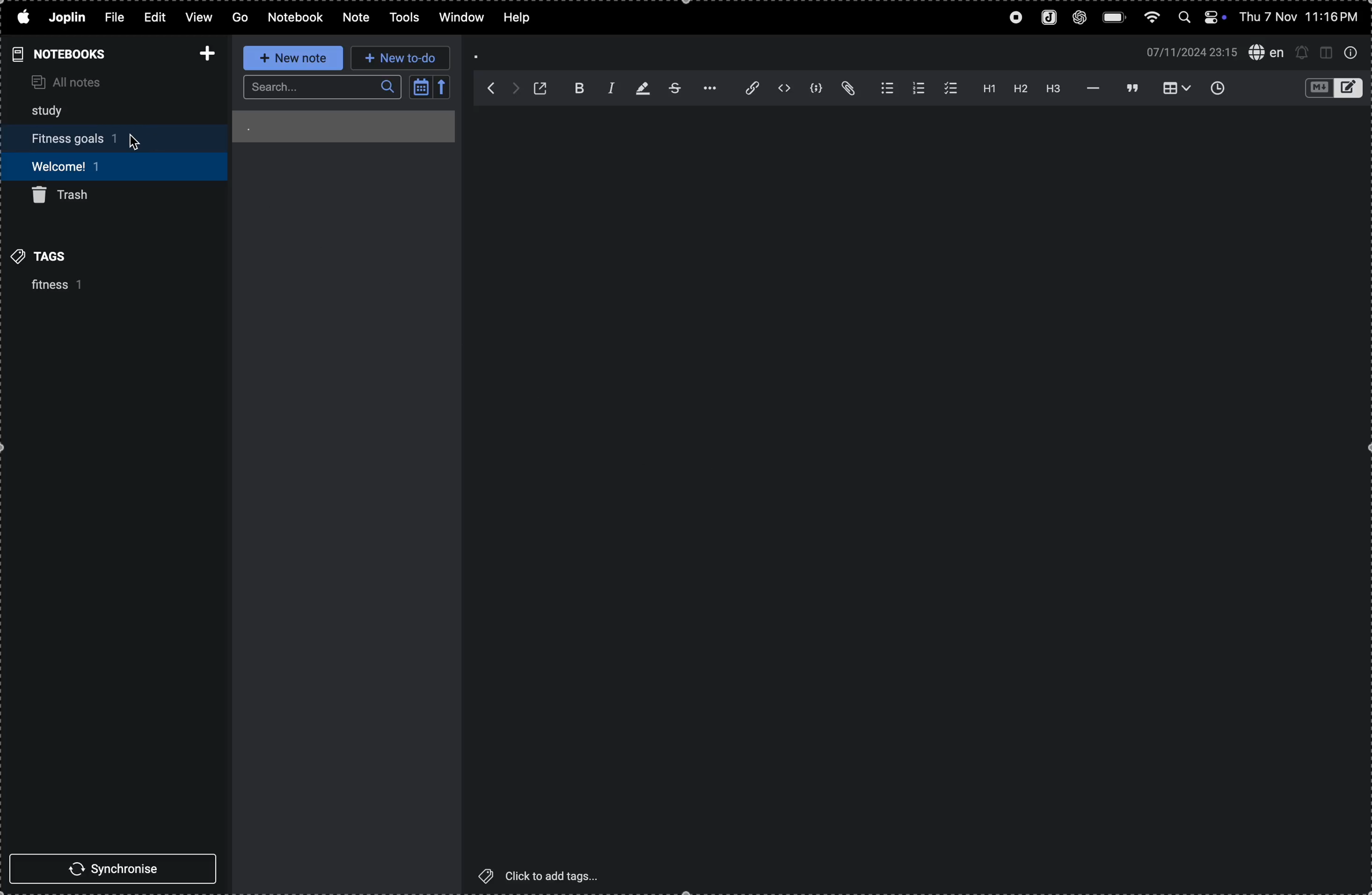 This screenshot has height=895, width=1372. Describe the element at coordinates (56, 108) in the screenshot. I see `study` at that location.